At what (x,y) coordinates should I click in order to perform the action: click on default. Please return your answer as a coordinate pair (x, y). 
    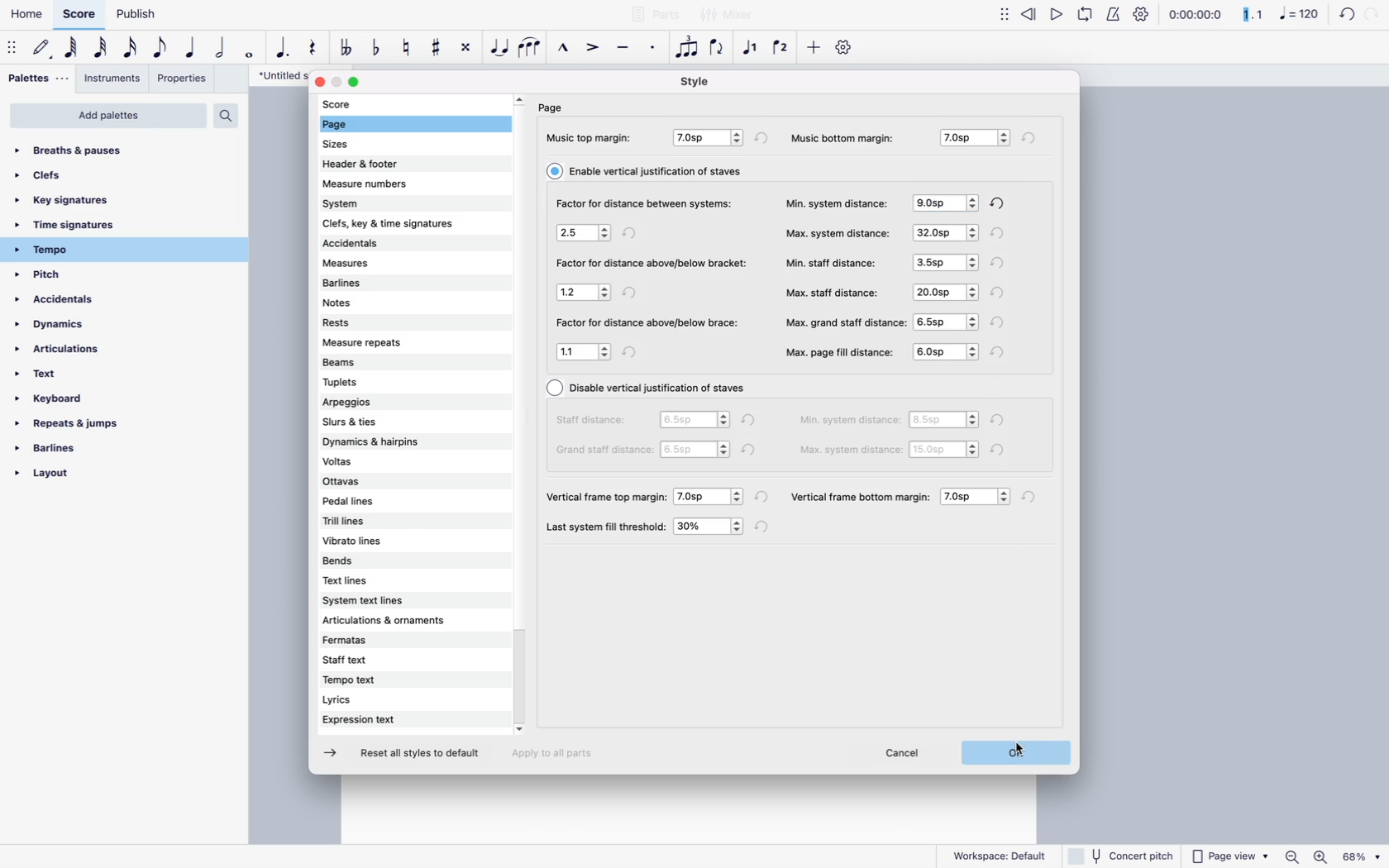
    Looking at the image, I should click on (43, 50).